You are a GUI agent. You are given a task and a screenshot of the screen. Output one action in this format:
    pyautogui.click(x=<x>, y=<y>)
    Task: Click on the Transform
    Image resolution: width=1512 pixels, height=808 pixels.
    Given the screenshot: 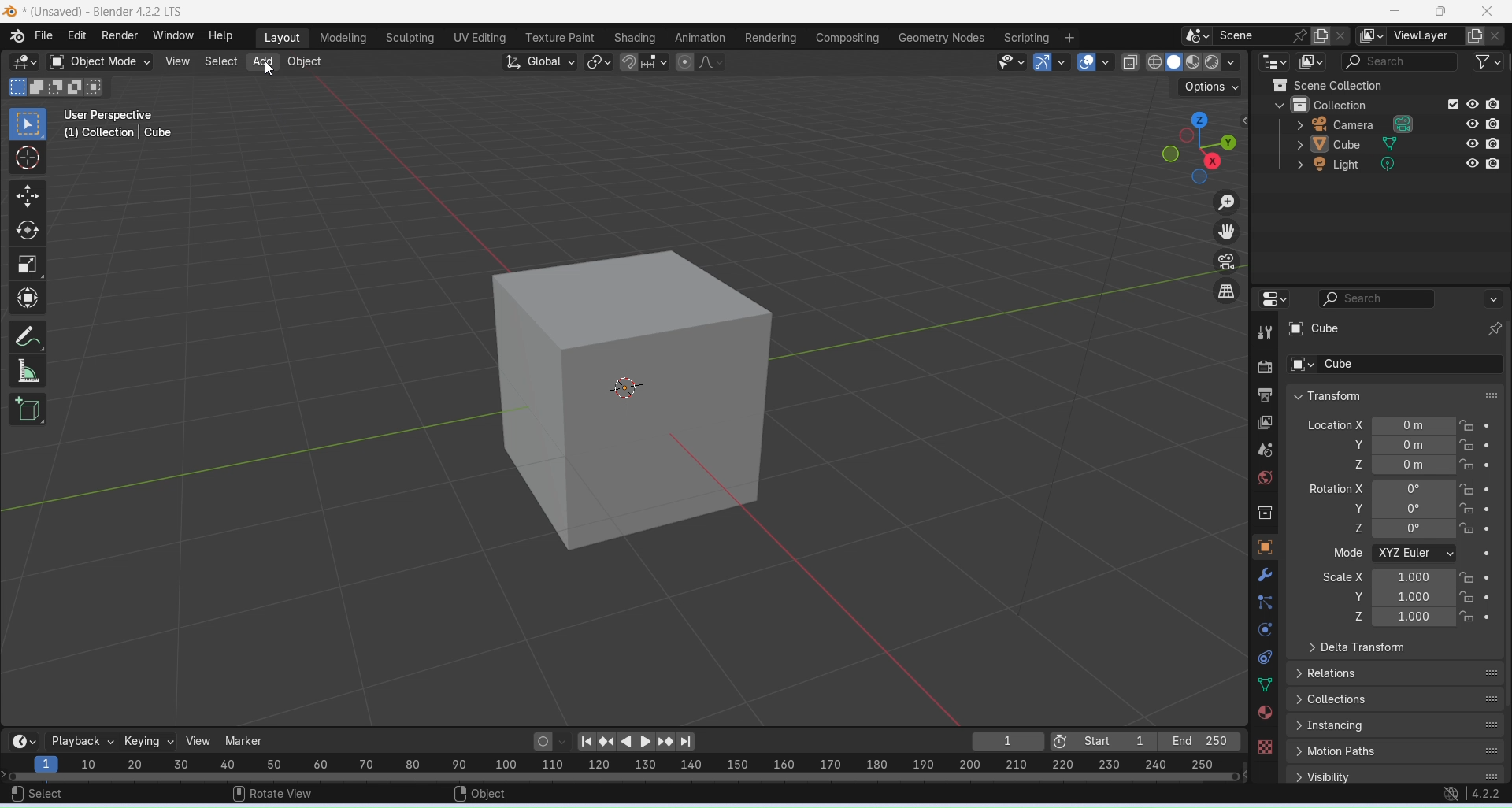 What is the action you would take?
    pyautogui.click(x=1325, y=396)
    